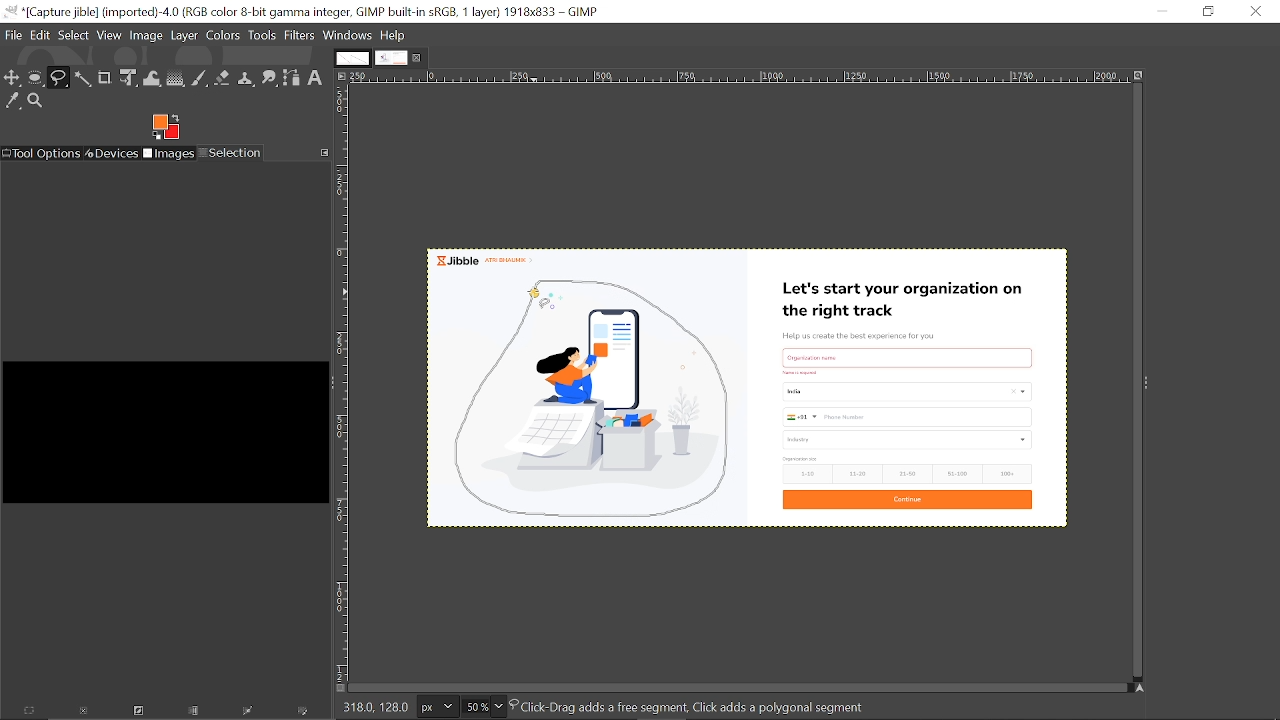  I want to click on Selection to path, so click(250, 713).